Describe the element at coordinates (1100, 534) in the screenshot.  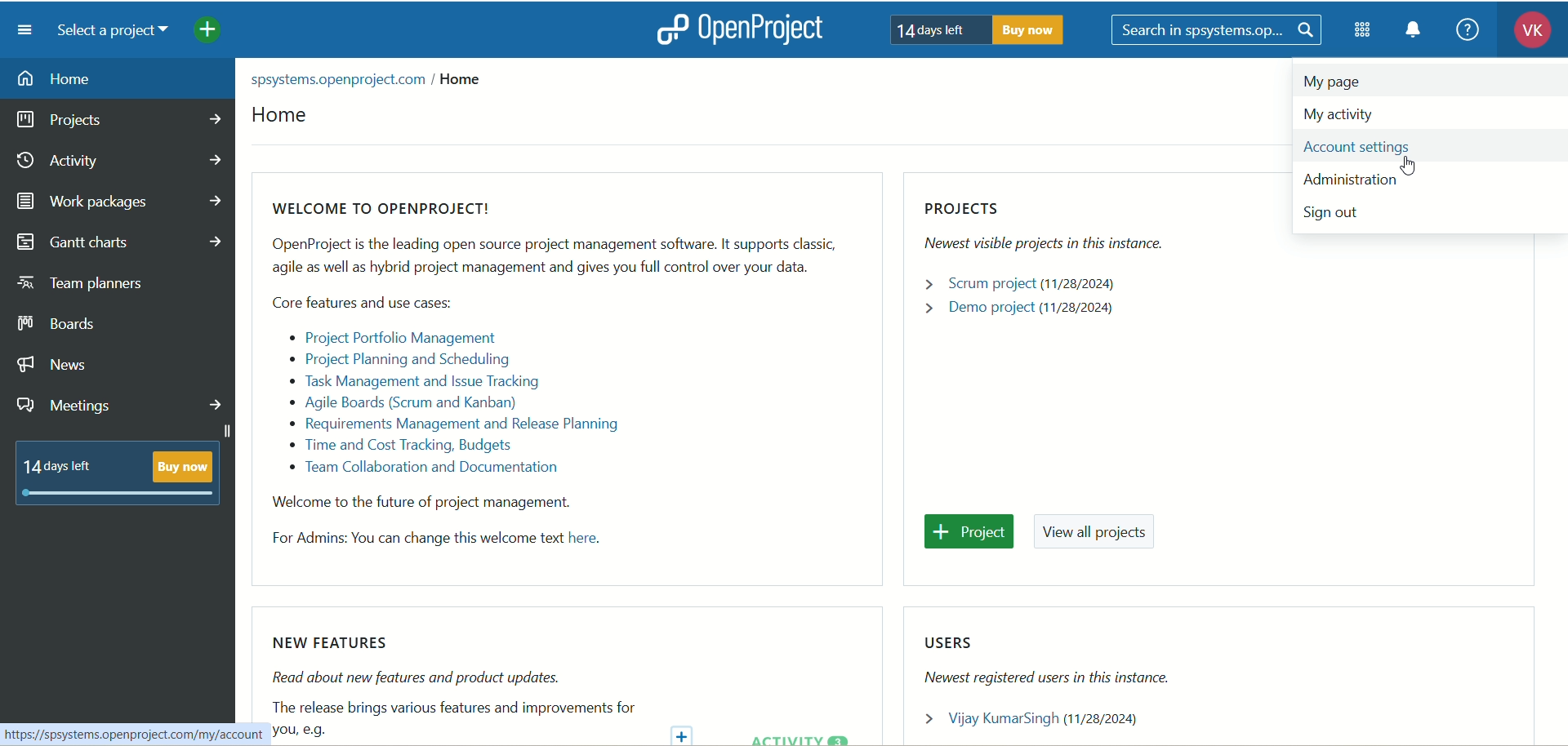
I see `view all projects` at that location.